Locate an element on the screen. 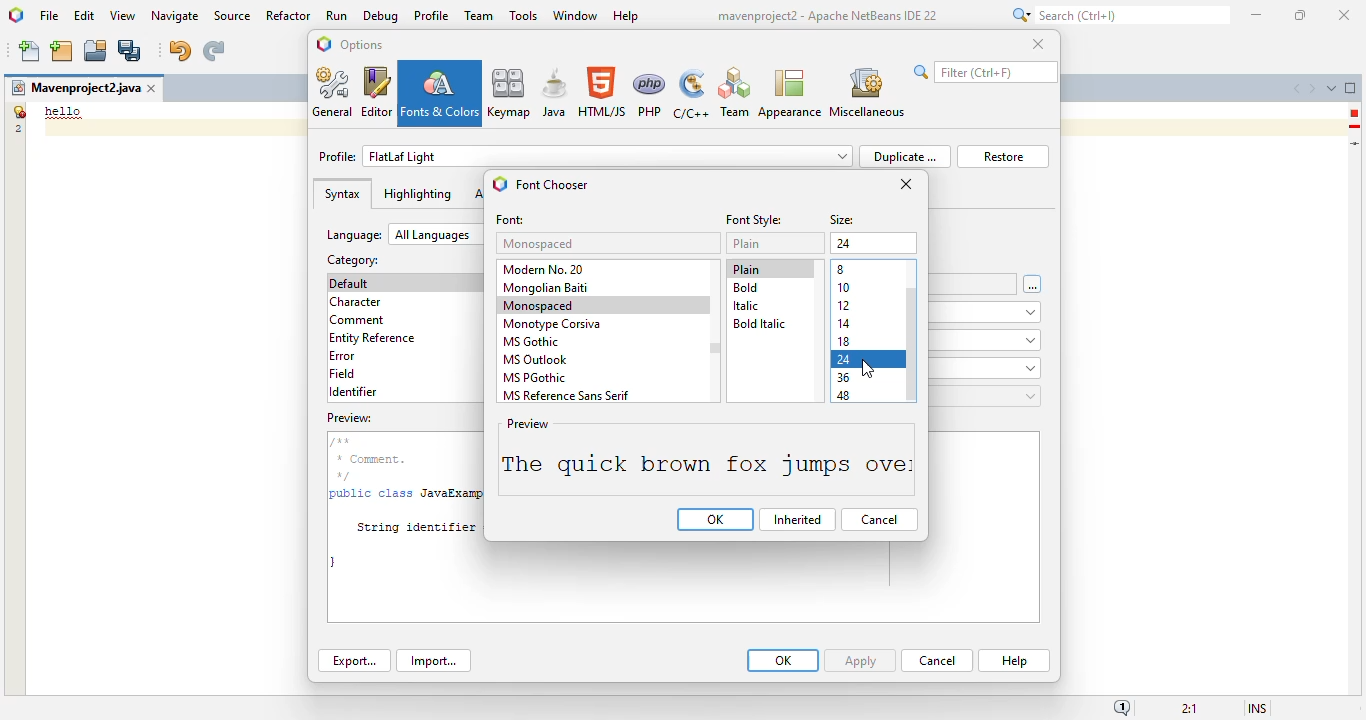  OK is located at coordinates (783, 660).